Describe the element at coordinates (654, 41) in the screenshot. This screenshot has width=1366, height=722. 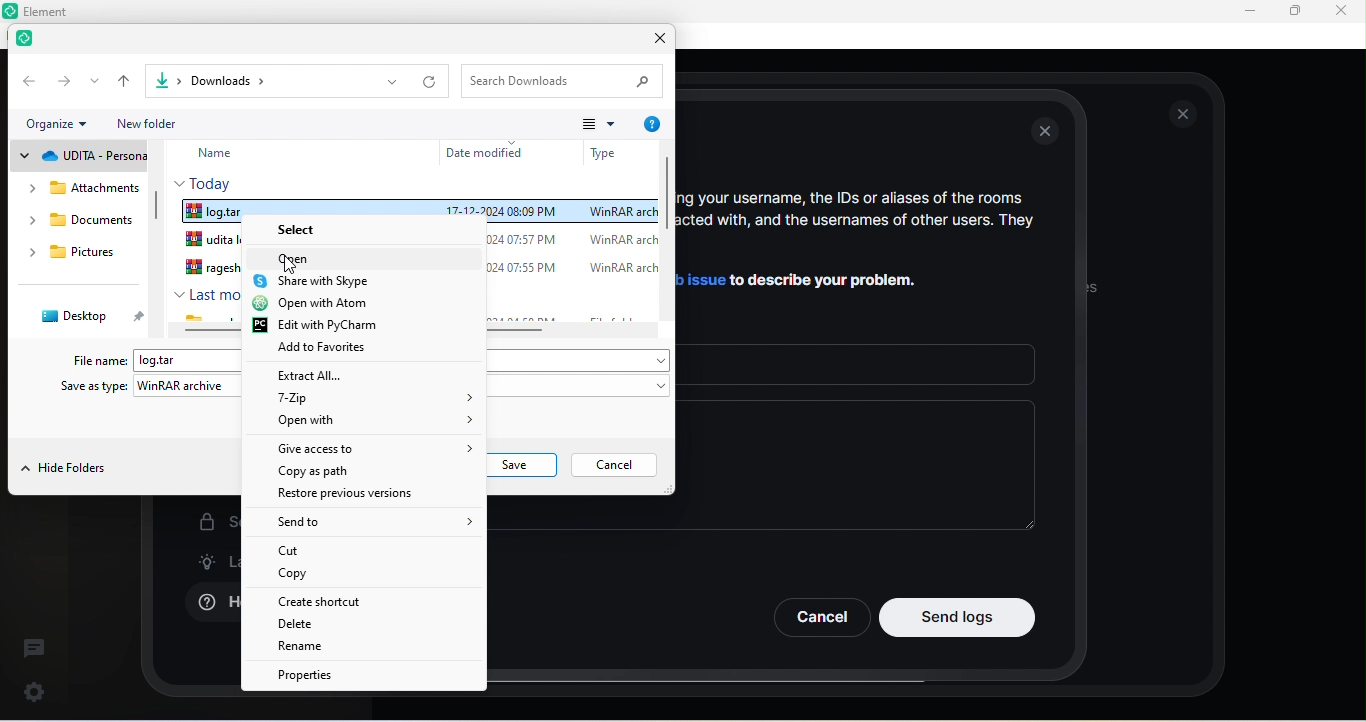
I see `close` at that location.